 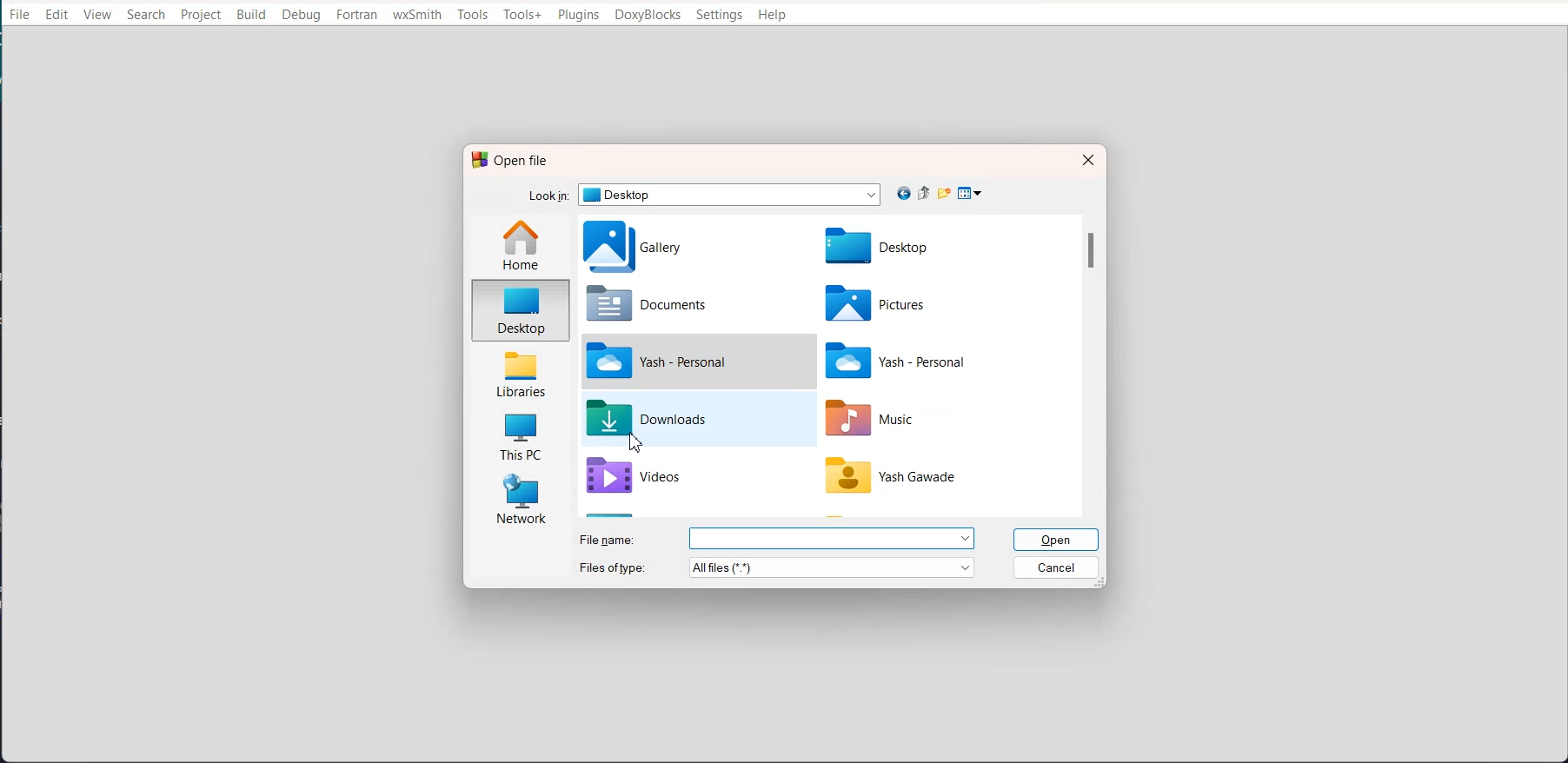 What do you see at coordinates (523, 244) in the screenshot?
I see `Home` at bounding box center [523, 244].